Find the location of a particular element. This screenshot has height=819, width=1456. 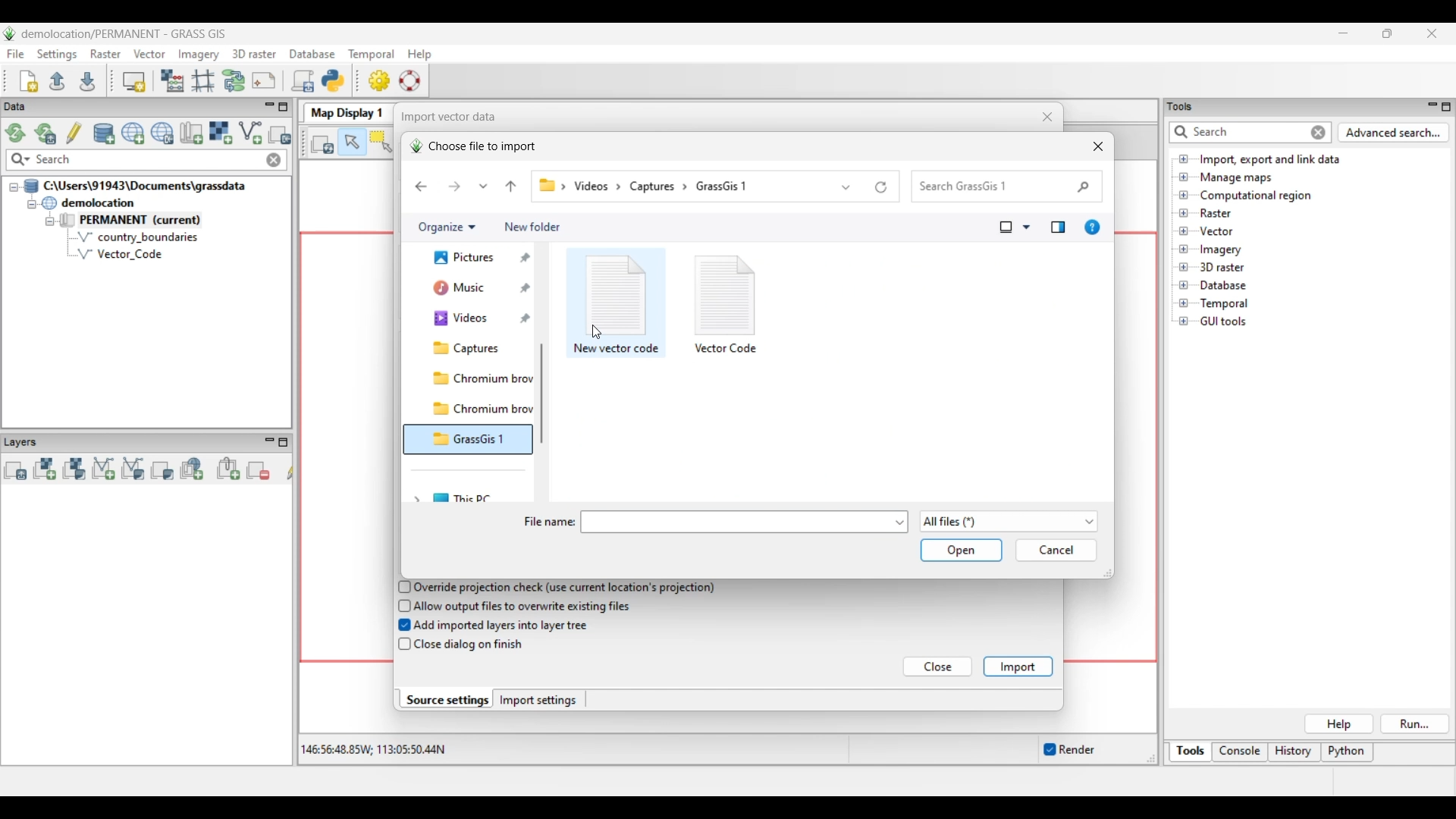

This PC folder is located at coordinates (482, 496).